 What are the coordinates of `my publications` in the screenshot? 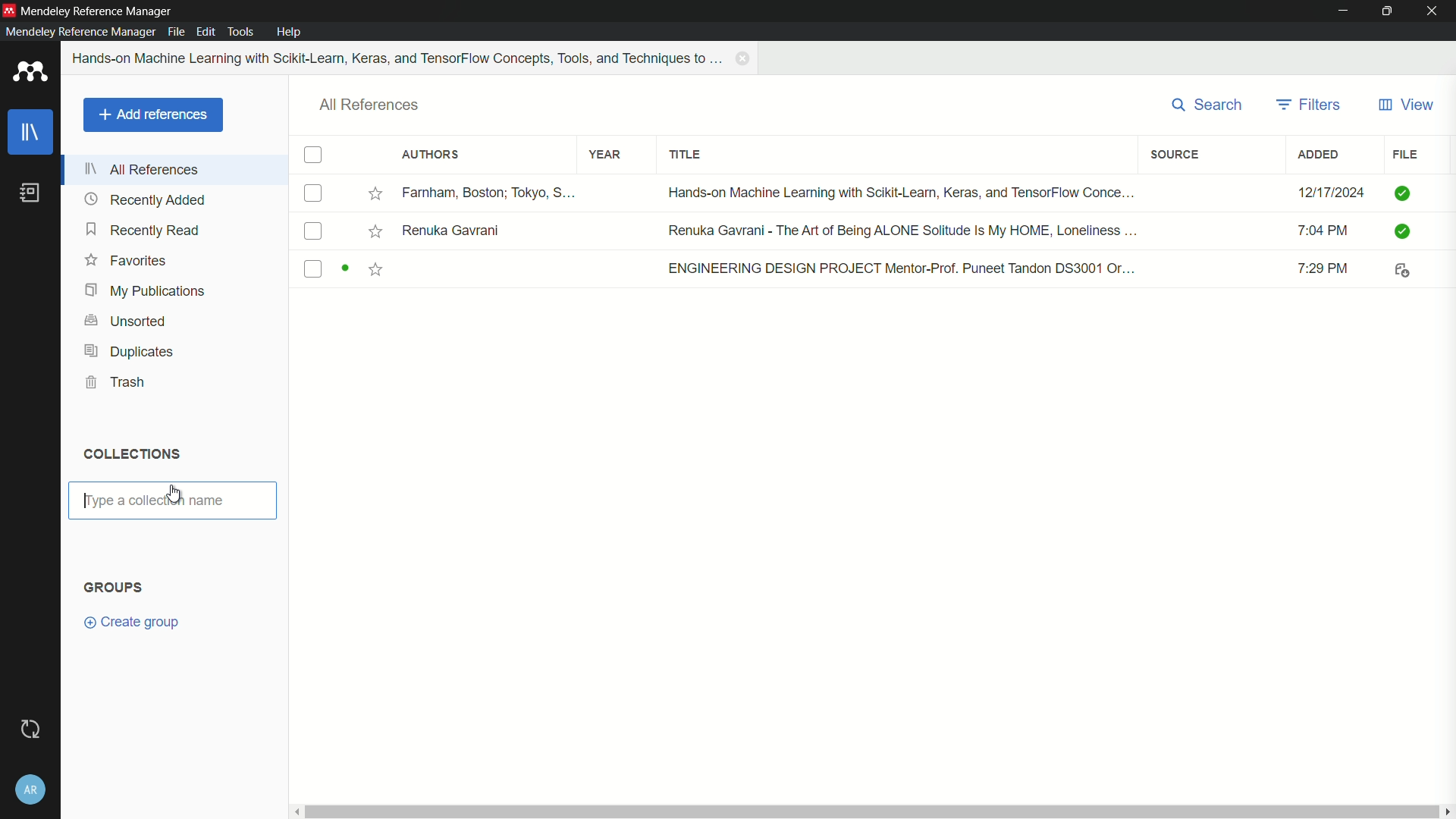 It's located at (143, 291).